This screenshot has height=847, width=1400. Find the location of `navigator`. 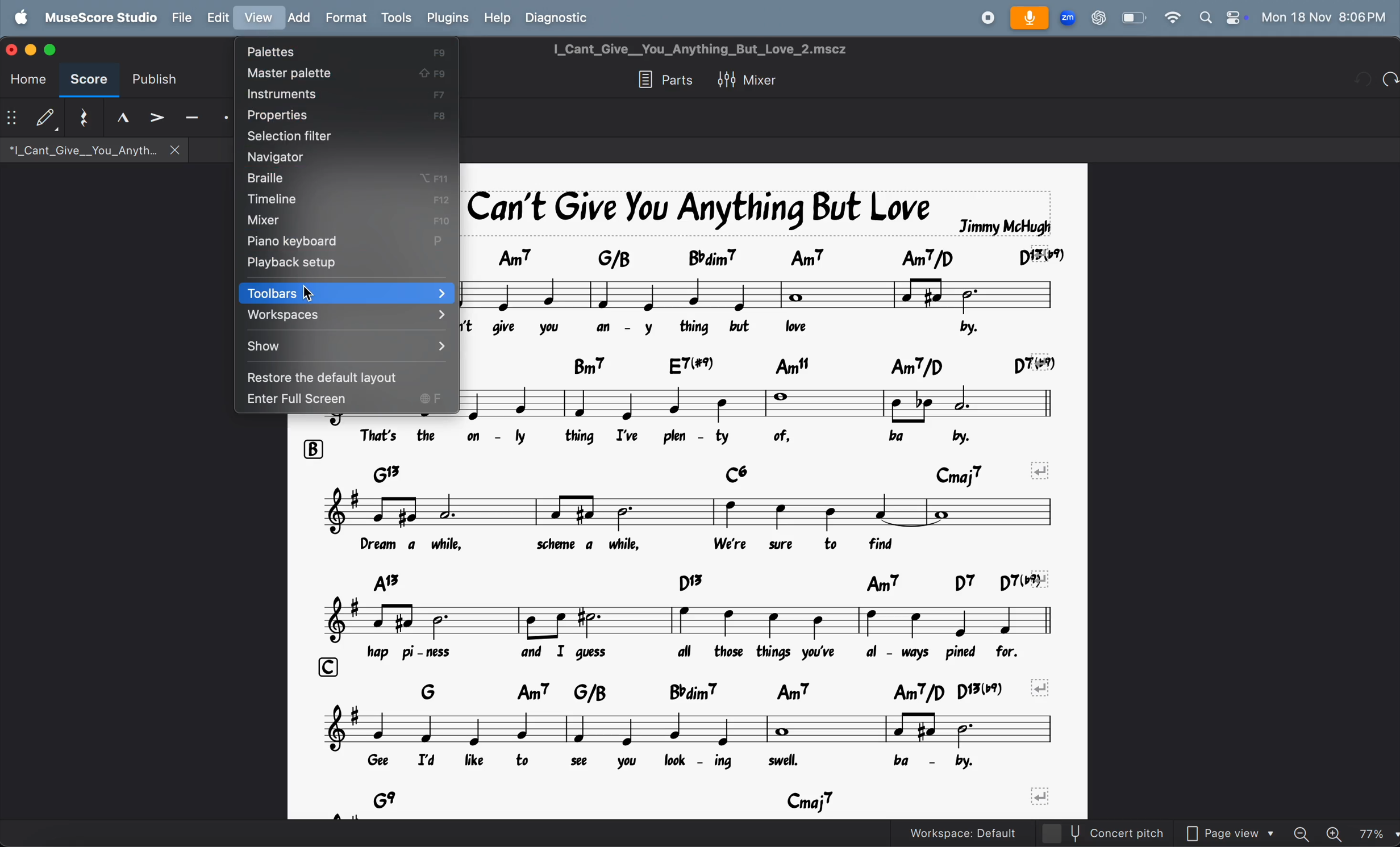

navigator is located at coordinates (343, 157).